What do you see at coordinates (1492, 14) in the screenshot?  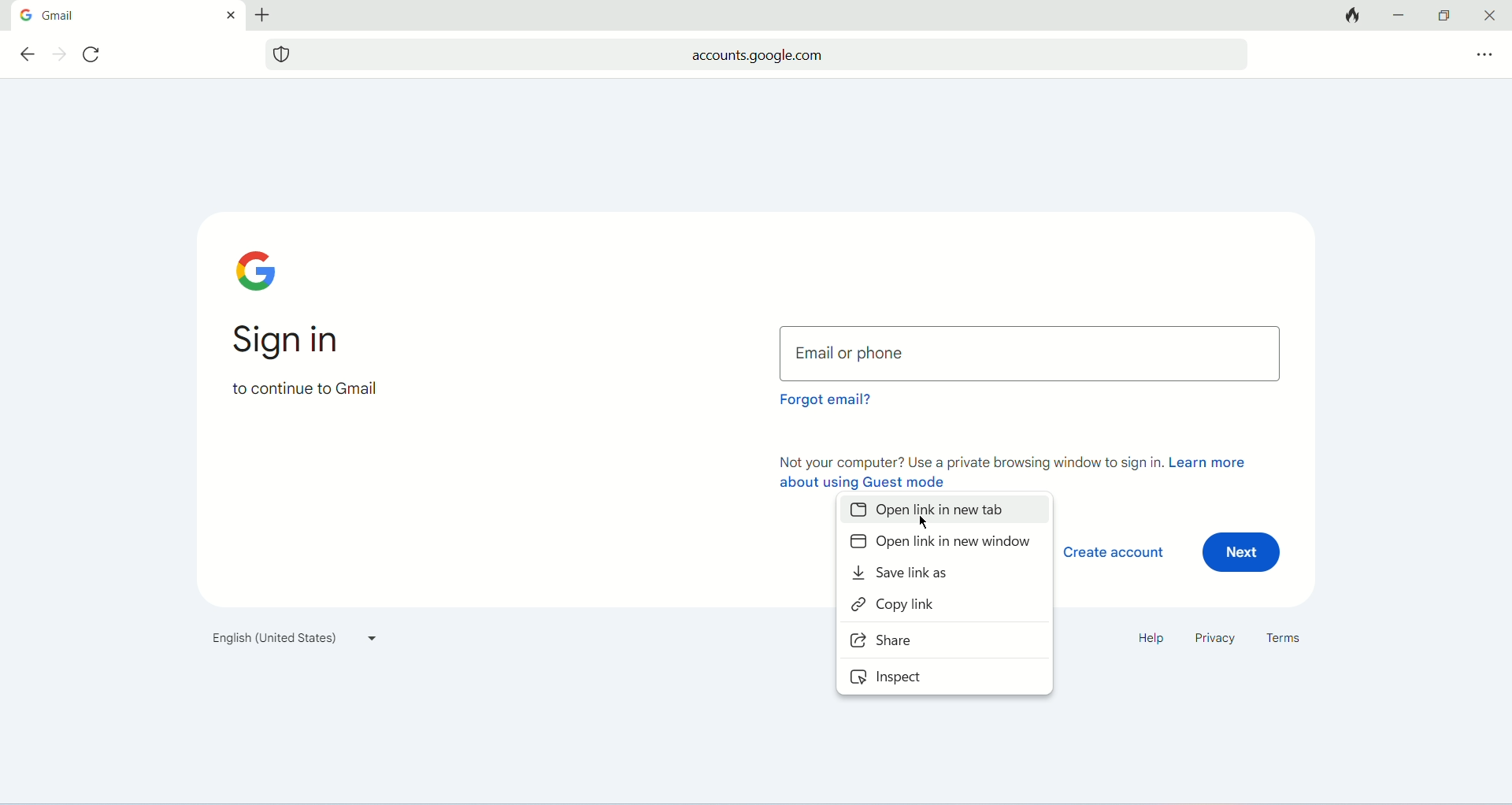 I see `close` at bounding box center [1492, 14].